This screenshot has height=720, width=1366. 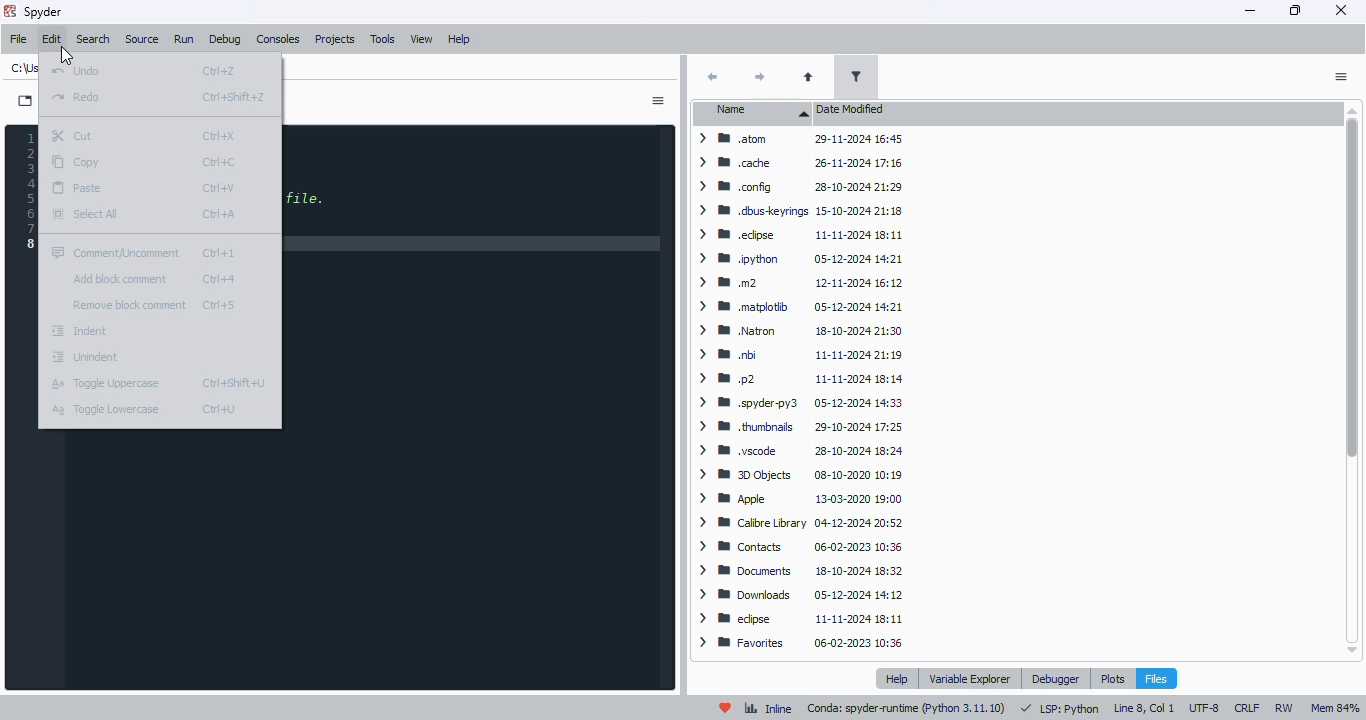 I want to click on >  atom 29-11-2024 16:45, so click(x=796, y=141).